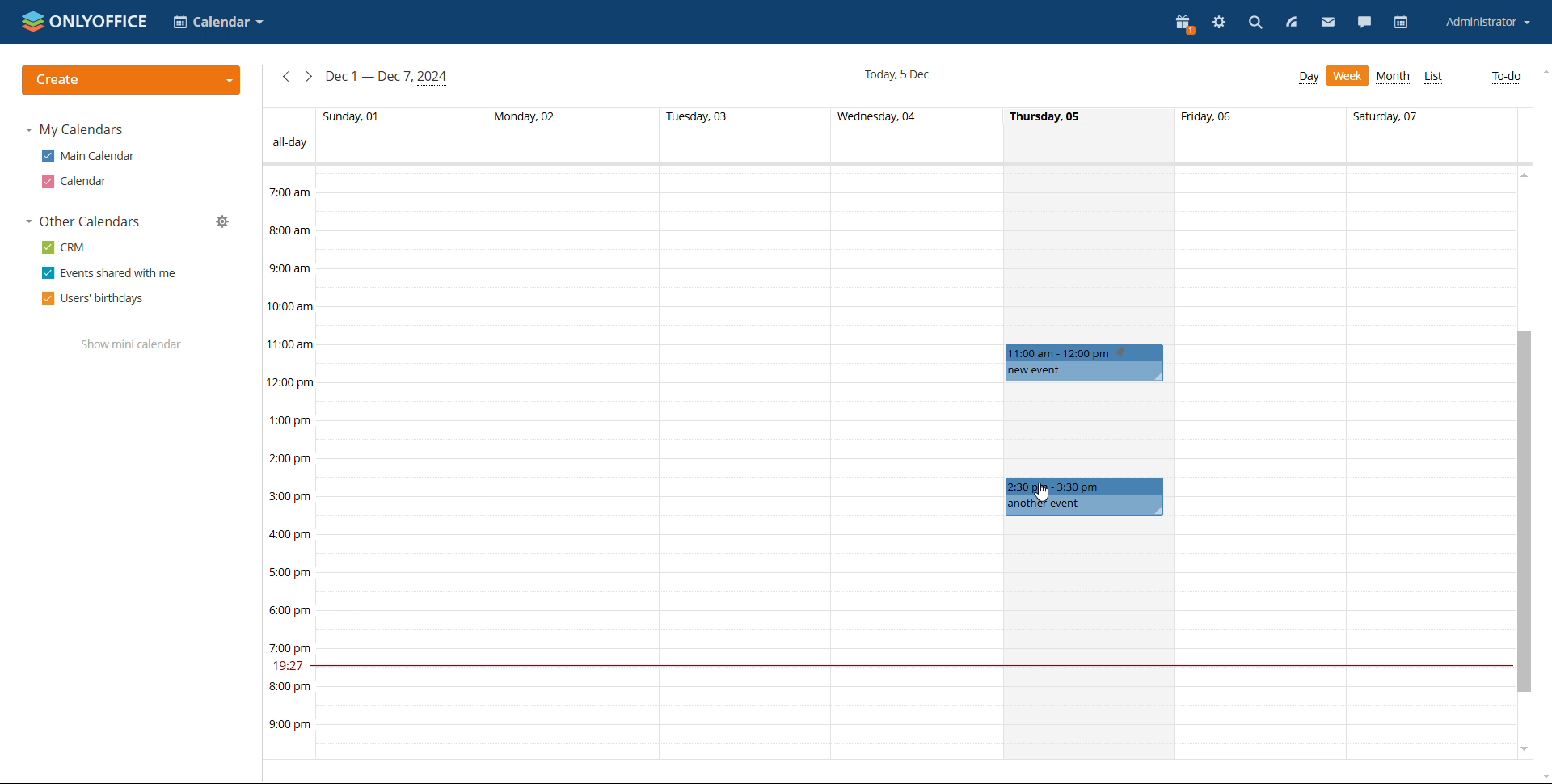 The height and width of the screenshot is (784, 1552). Describe the element at coordinates (1402, 23) in the screenshot. I see `calendar` at that location.